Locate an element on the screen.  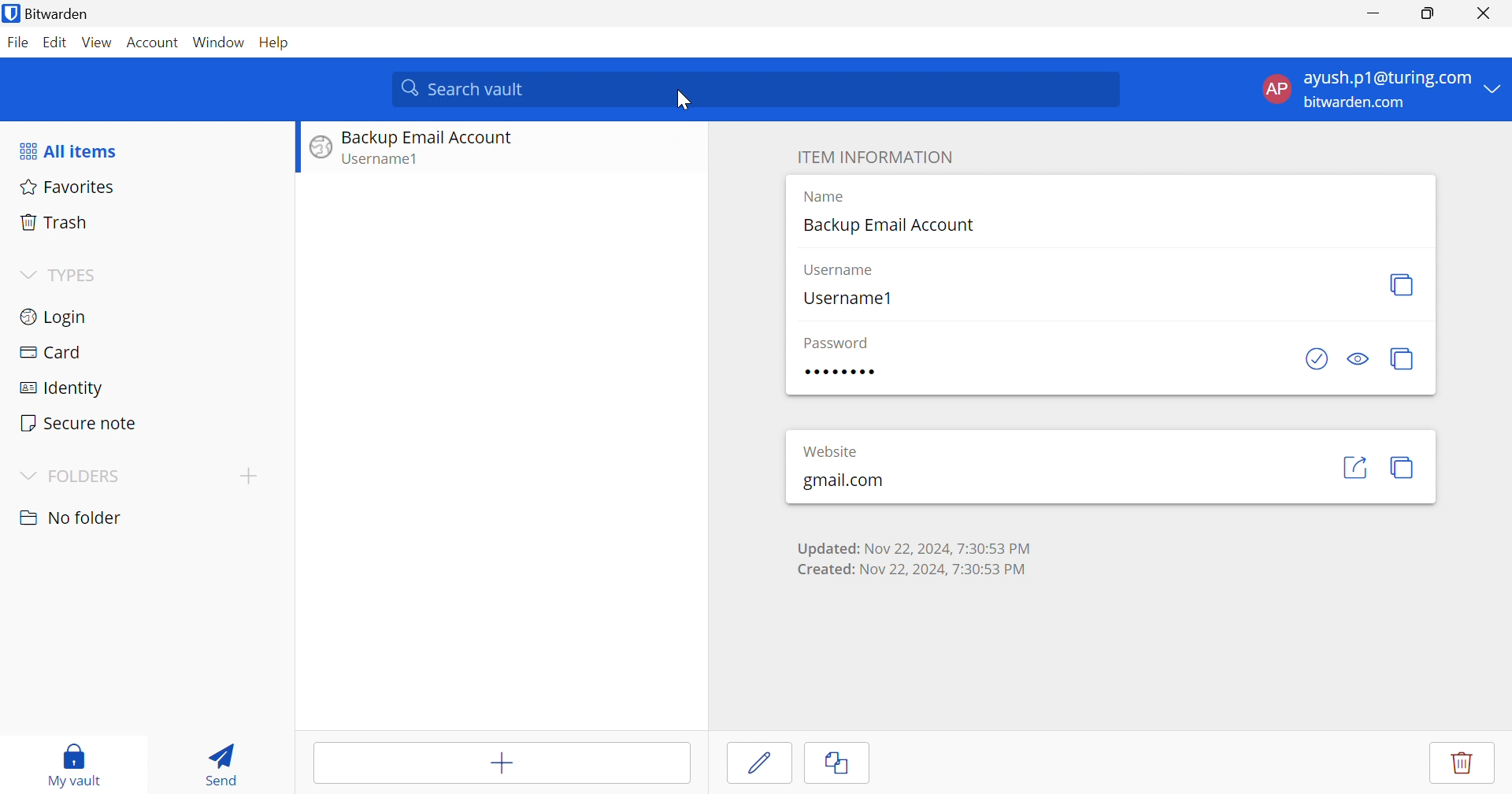
Updated: Nov 22, 2024, 7:30:53 PM
Created: Nov 22, 2024, 7:30:53 PM is located at coordinates (904, 558).